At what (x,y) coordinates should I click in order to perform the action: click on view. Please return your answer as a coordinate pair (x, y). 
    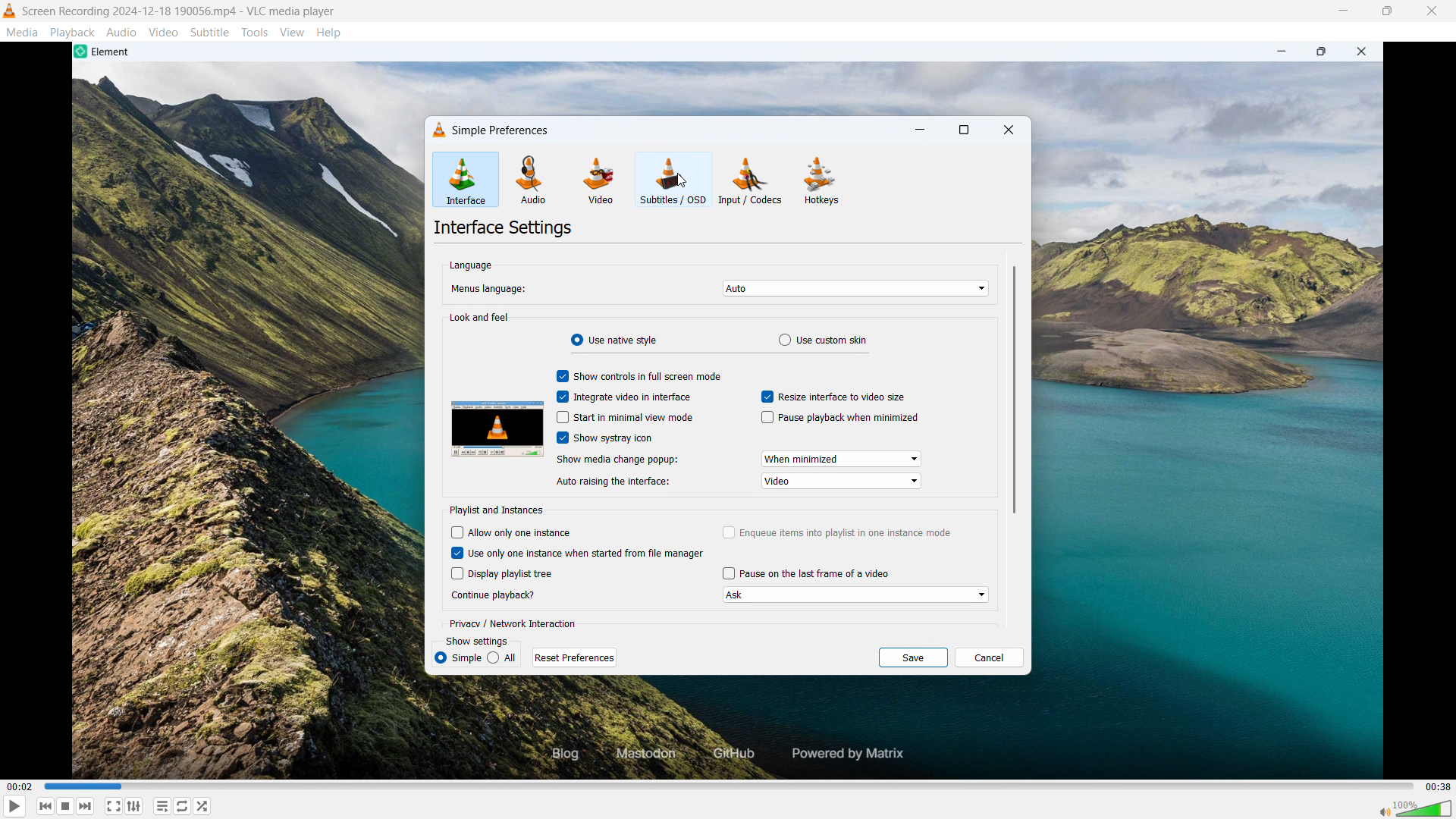
    Looking at the image, I should click on (293, 33).